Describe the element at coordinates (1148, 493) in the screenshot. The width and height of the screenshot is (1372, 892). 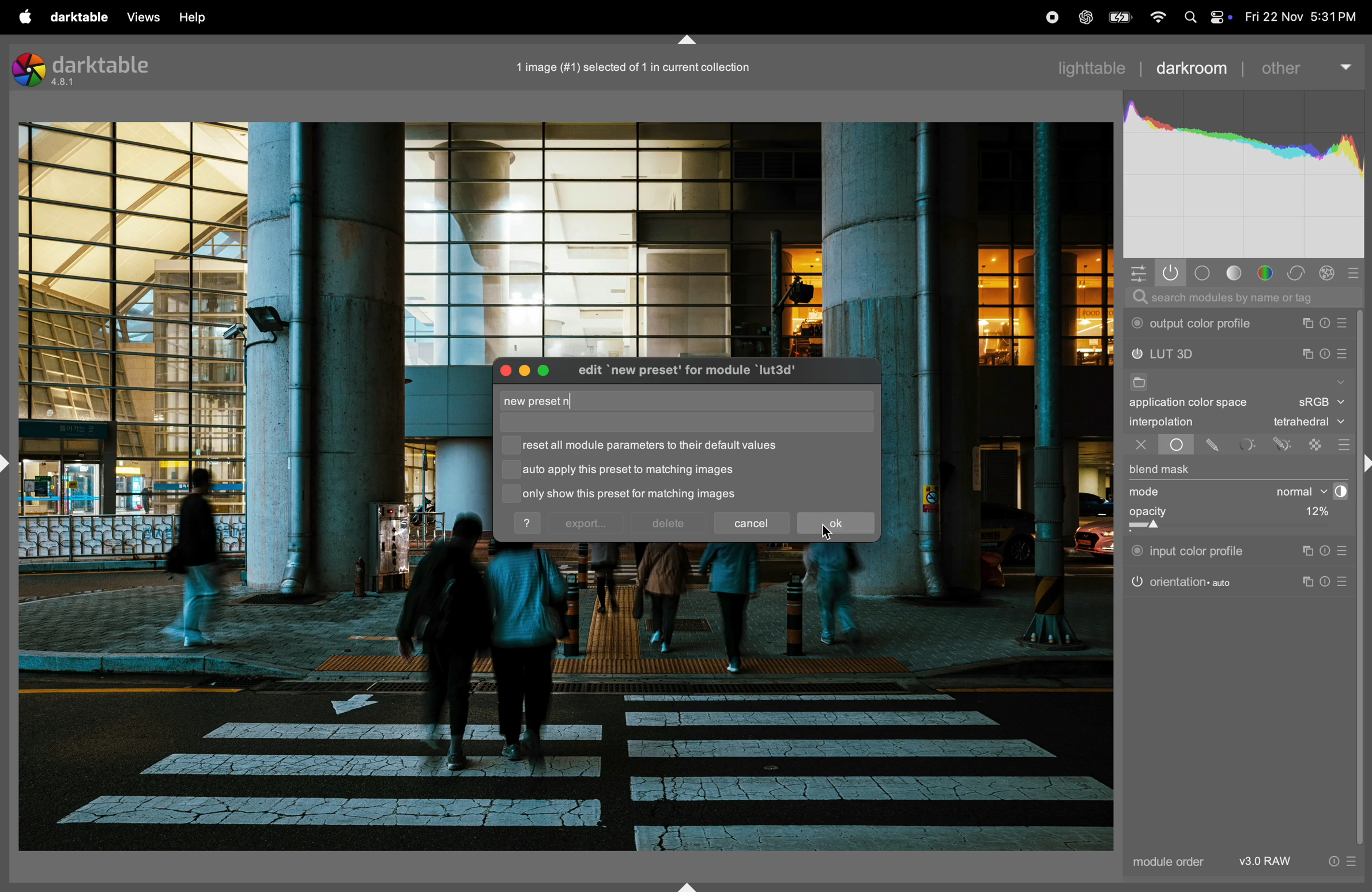
I see `mode` at that location.